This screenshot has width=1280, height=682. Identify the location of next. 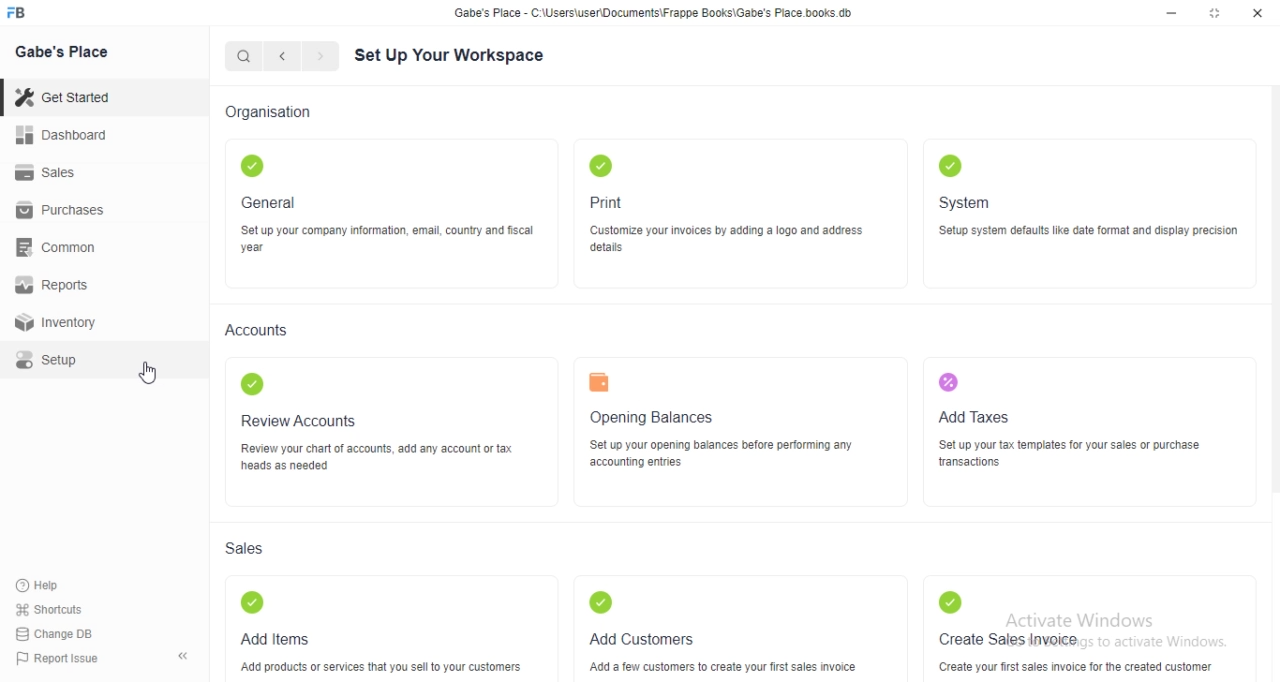
(327, 58).